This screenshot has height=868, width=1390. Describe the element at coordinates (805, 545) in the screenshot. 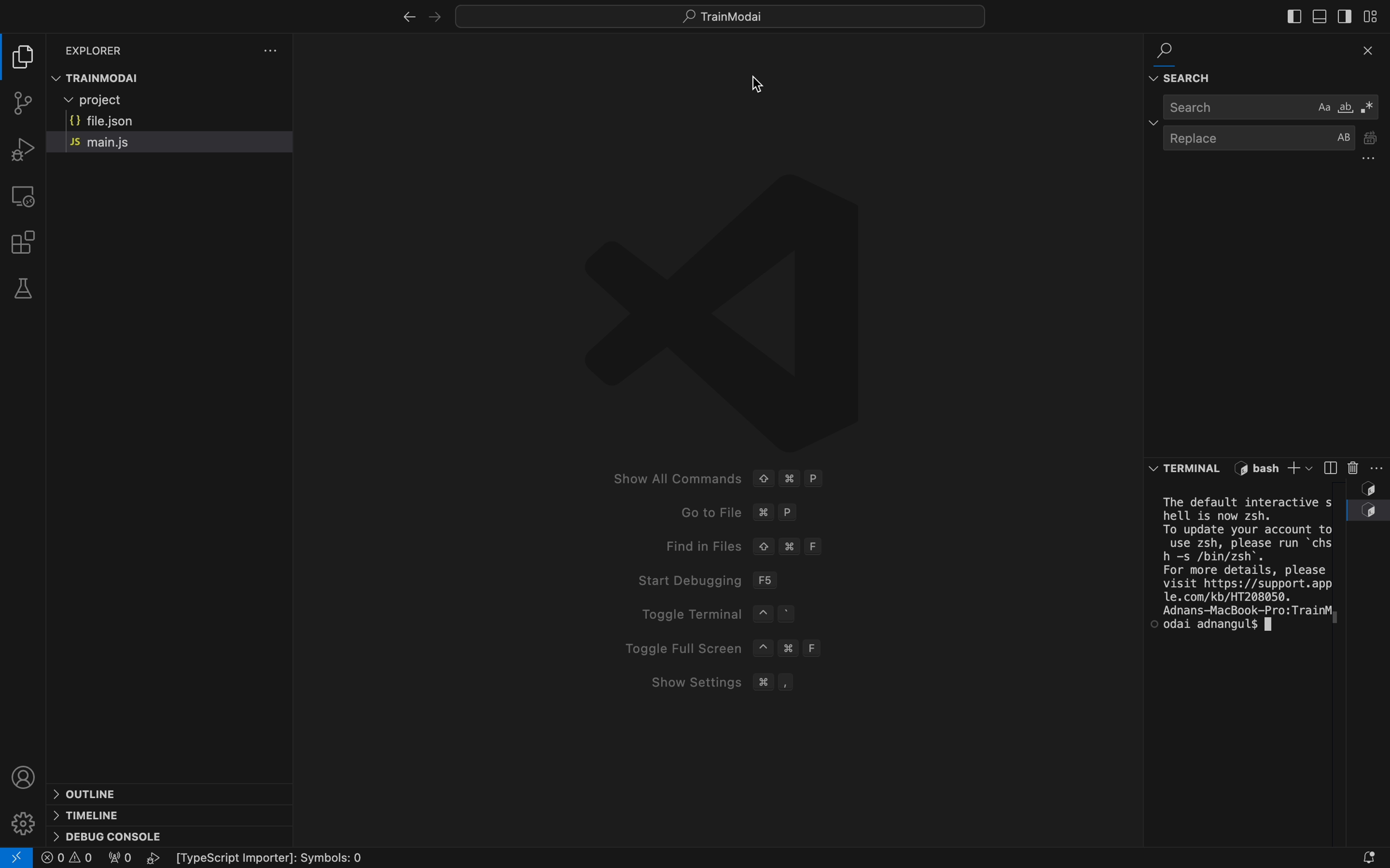

I see `Find Files` at that location.